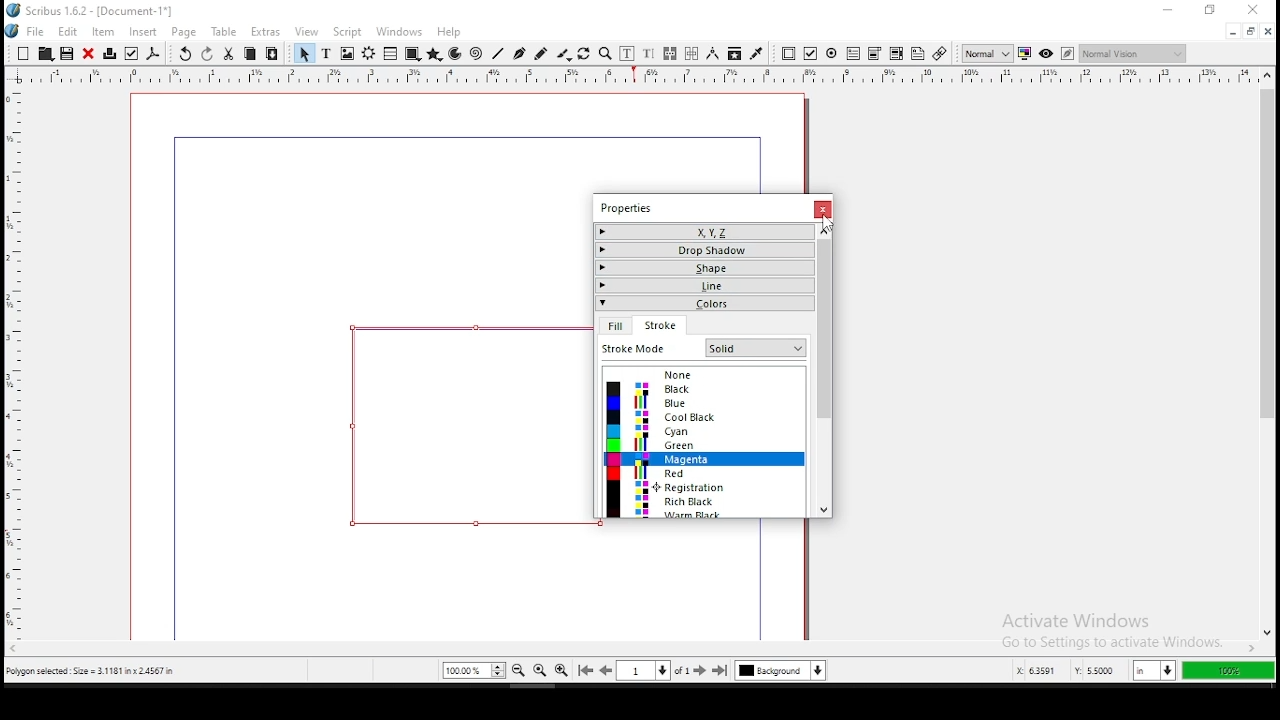  Describe the element at coordinates (705, 431) in the screenshot. I see `cyan` at that location.